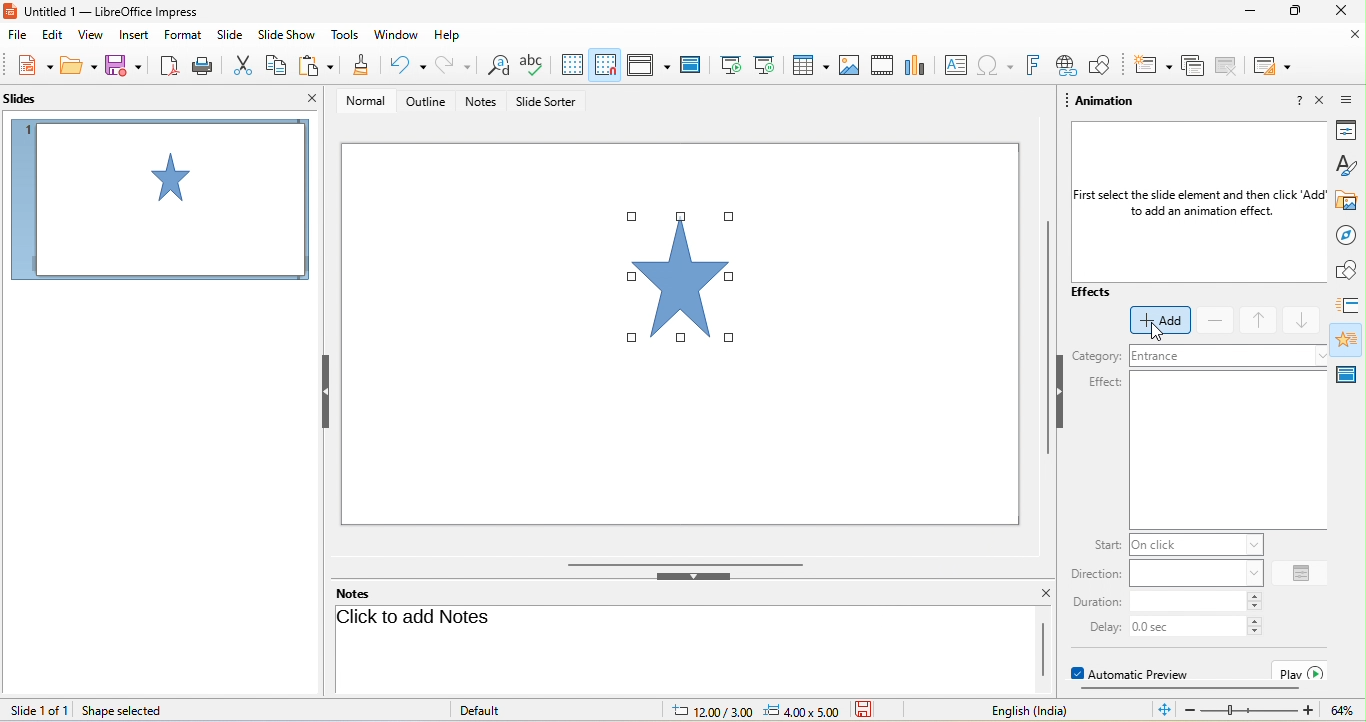 The image size is (1366, 722). I want to click on increase delay, so click(1255, 620).